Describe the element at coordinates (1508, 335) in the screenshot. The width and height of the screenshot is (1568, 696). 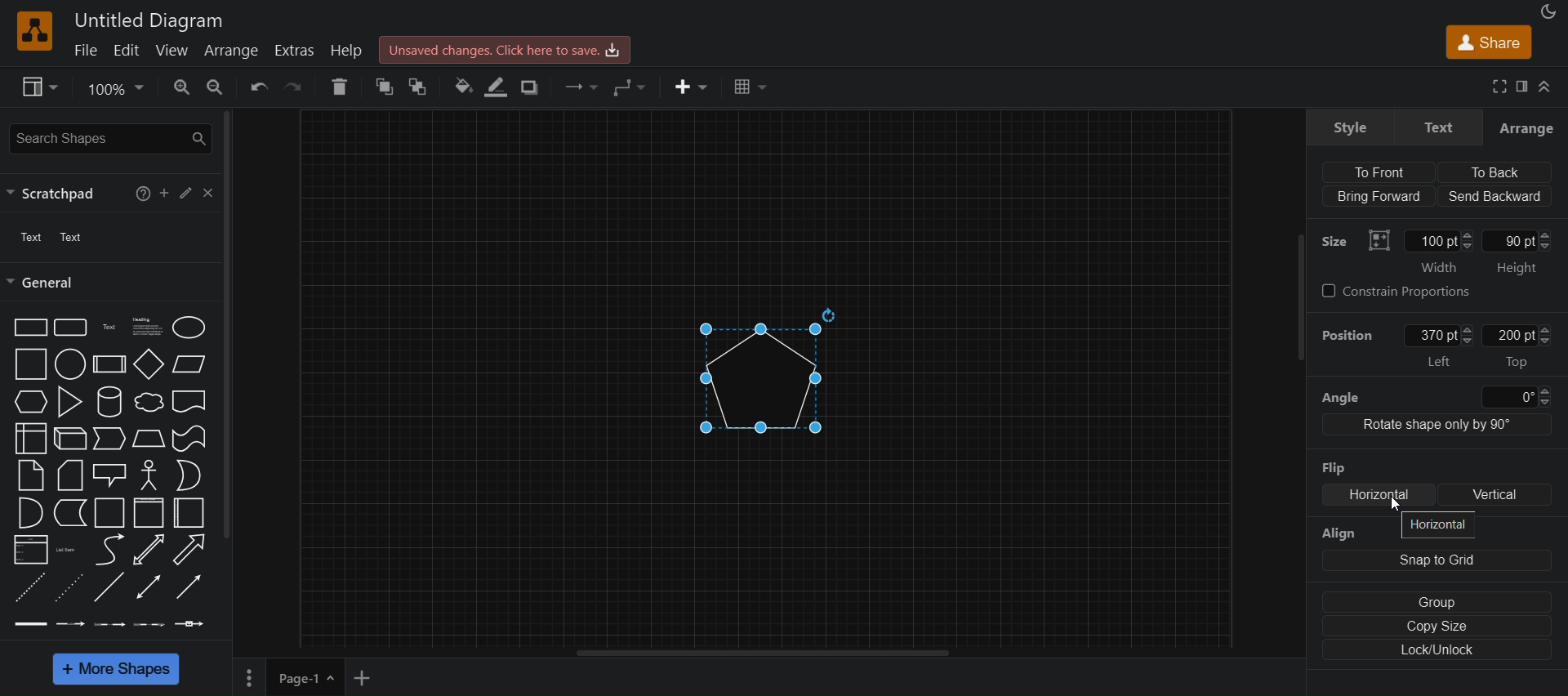
I see `Manually input top position` at that location.